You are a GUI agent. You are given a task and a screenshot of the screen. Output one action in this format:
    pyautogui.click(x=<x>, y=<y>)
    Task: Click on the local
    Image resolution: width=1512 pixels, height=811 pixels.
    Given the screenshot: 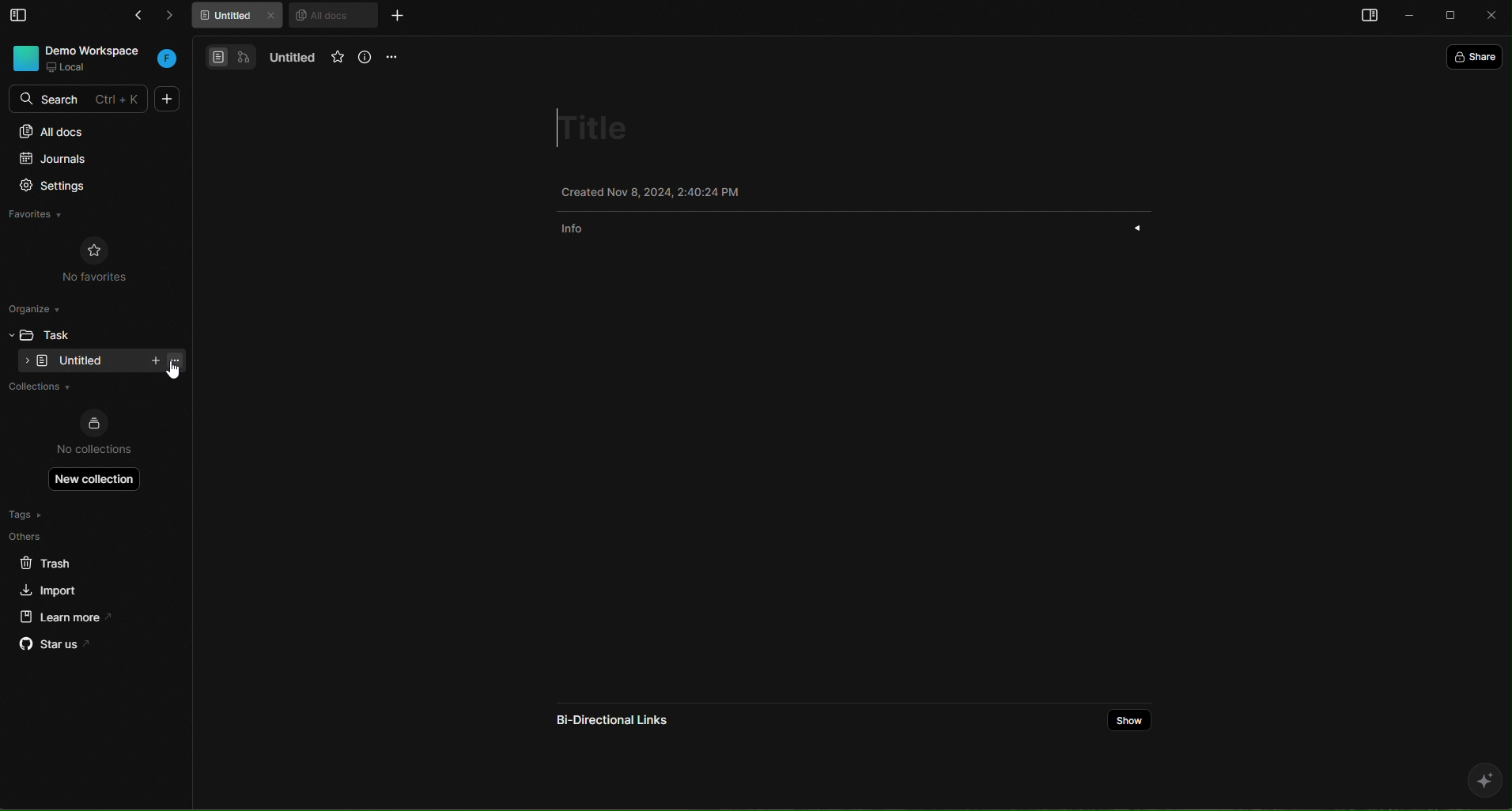 What is the action you would take?
    pyautogui.click(x=68, y=67)
    